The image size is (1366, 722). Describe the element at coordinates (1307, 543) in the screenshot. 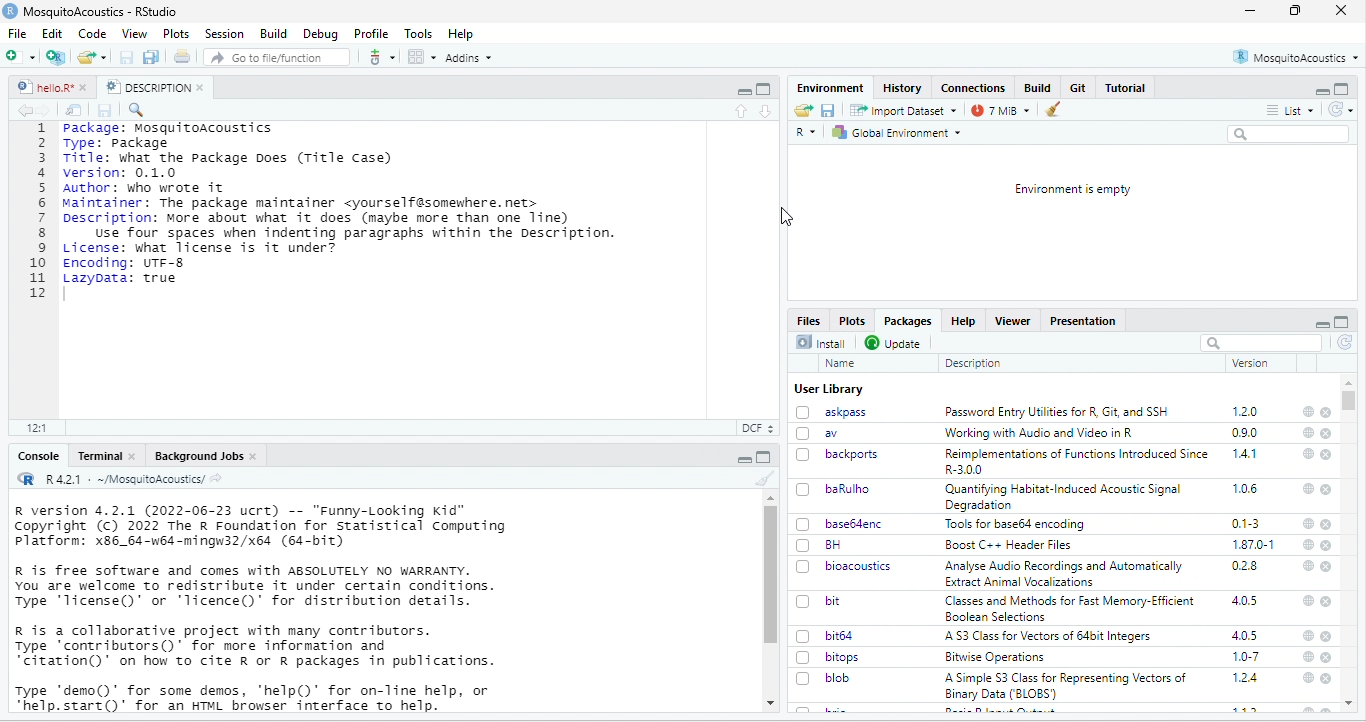

I see `help` at that location.